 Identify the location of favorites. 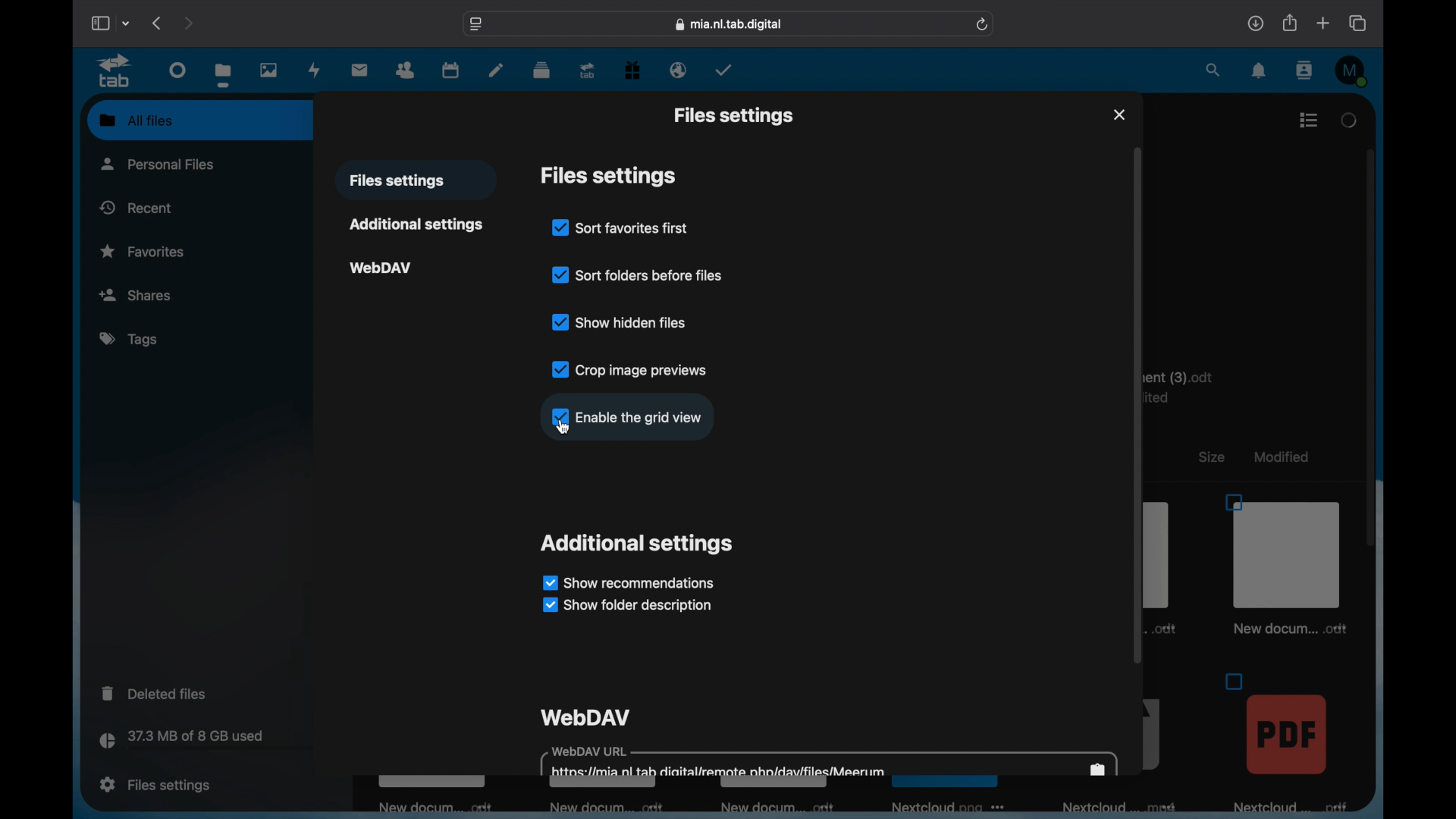
(144, 252).